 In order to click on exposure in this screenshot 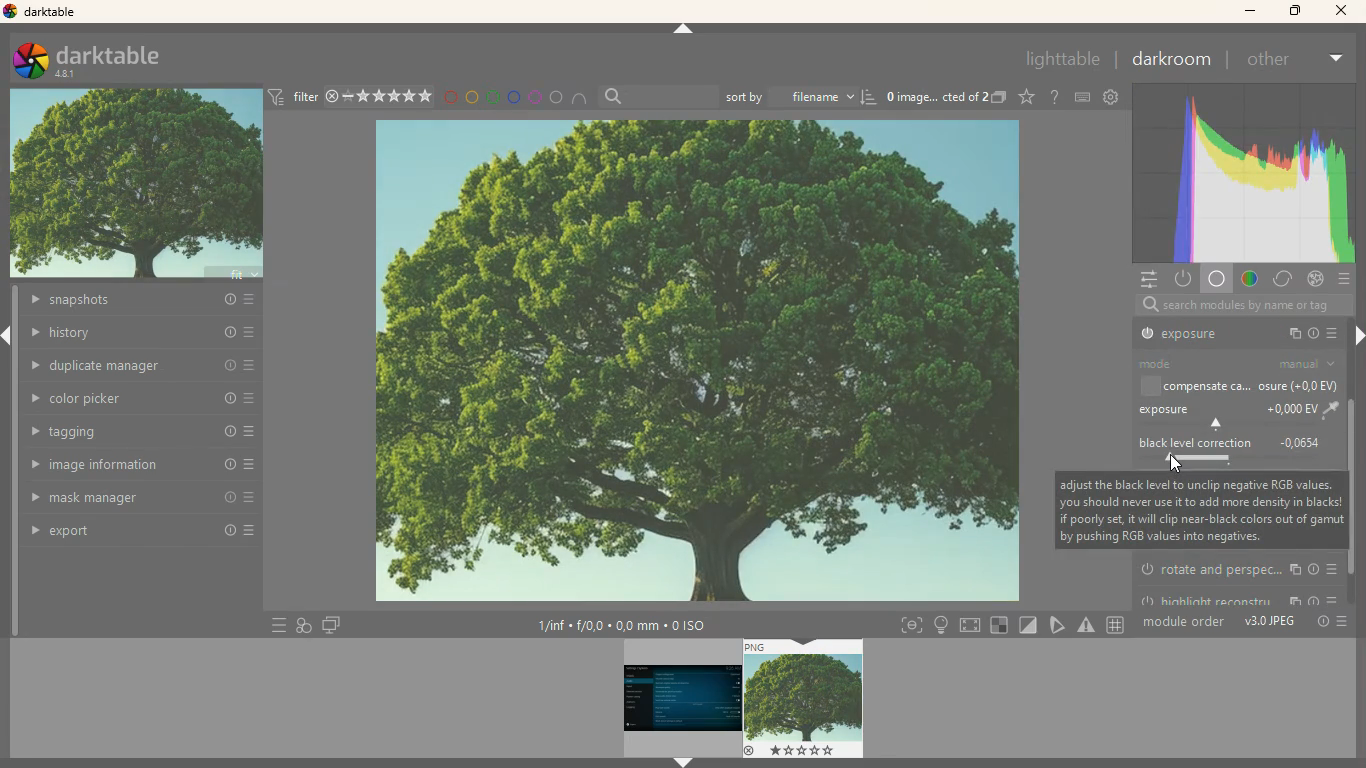, I will do `click(1207, 336)`.